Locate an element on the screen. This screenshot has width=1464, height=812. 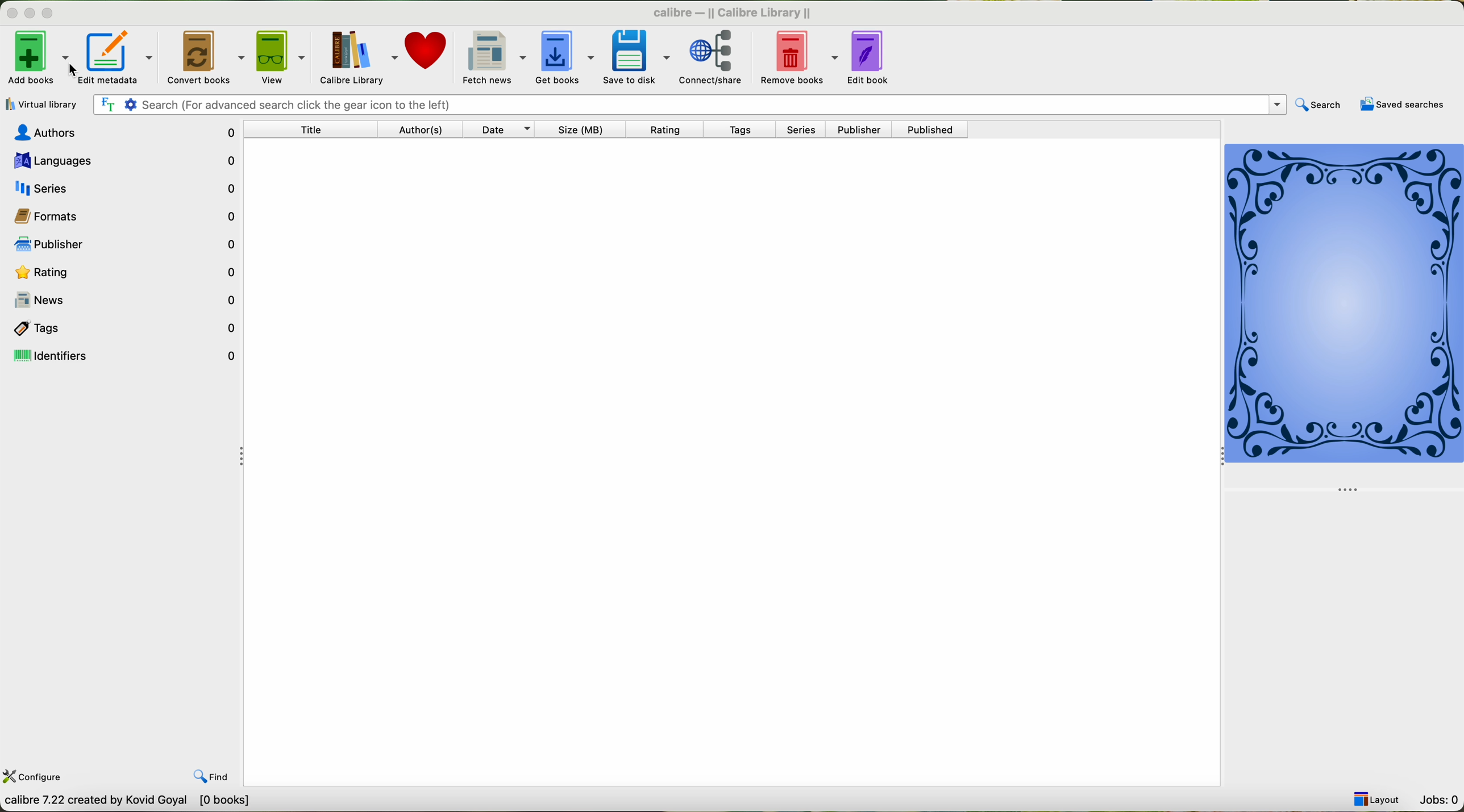
fetch news is located at coordinates (492, 57).